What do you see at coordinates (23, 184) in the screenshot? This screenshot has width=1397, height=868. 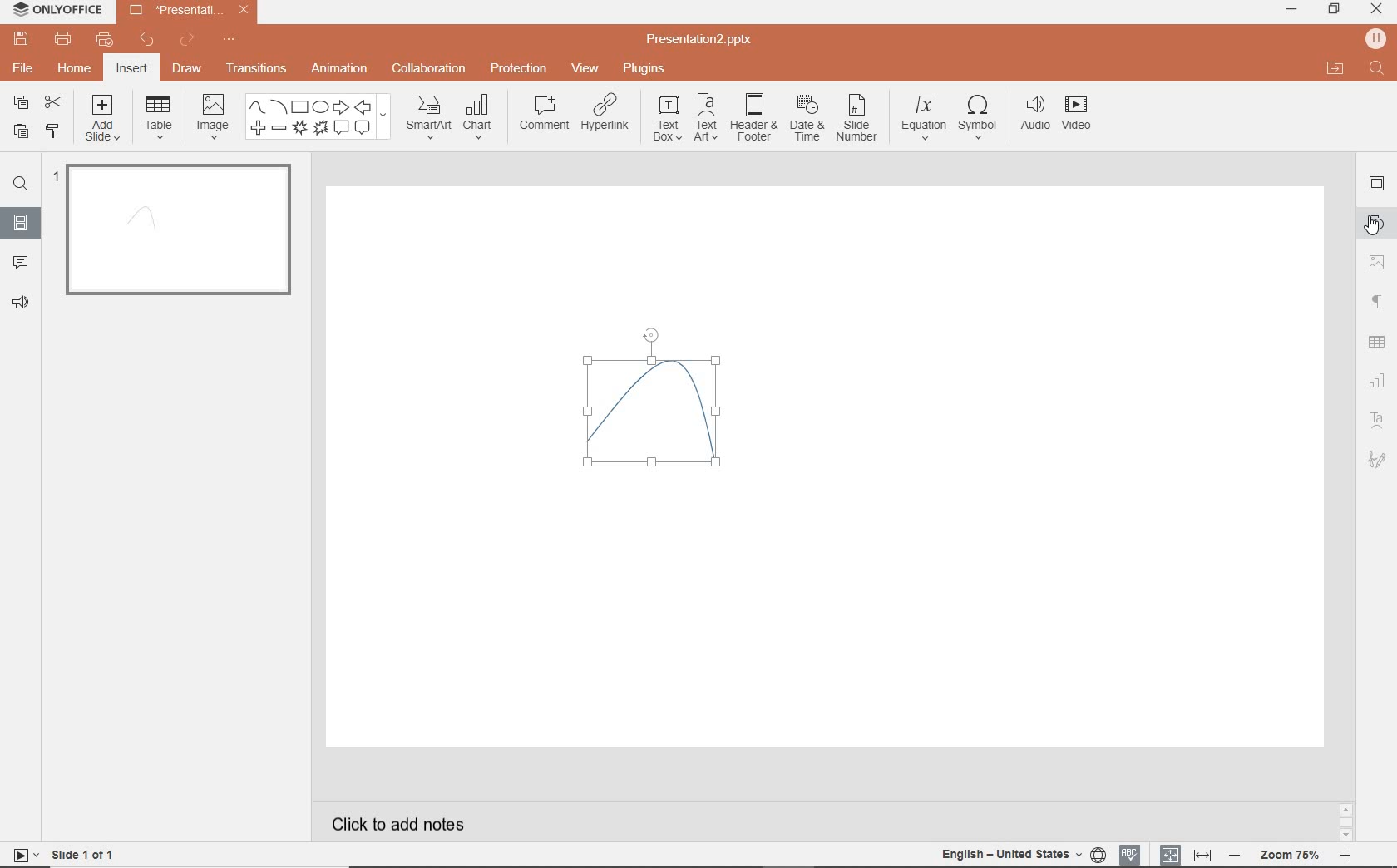 I see `FIND` at bounding box center [23, 184].